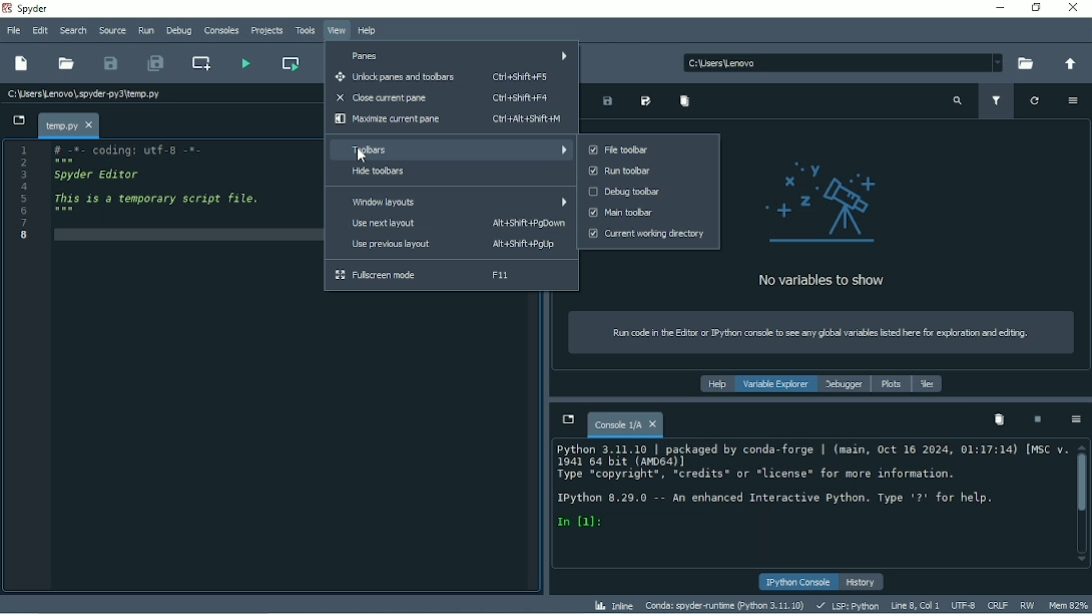 This screenshot has width=1092, height=614. What do you see at coordinates (646, 234) in the screenshot?
I see `Current working directory` at bounding box center [646, 234].